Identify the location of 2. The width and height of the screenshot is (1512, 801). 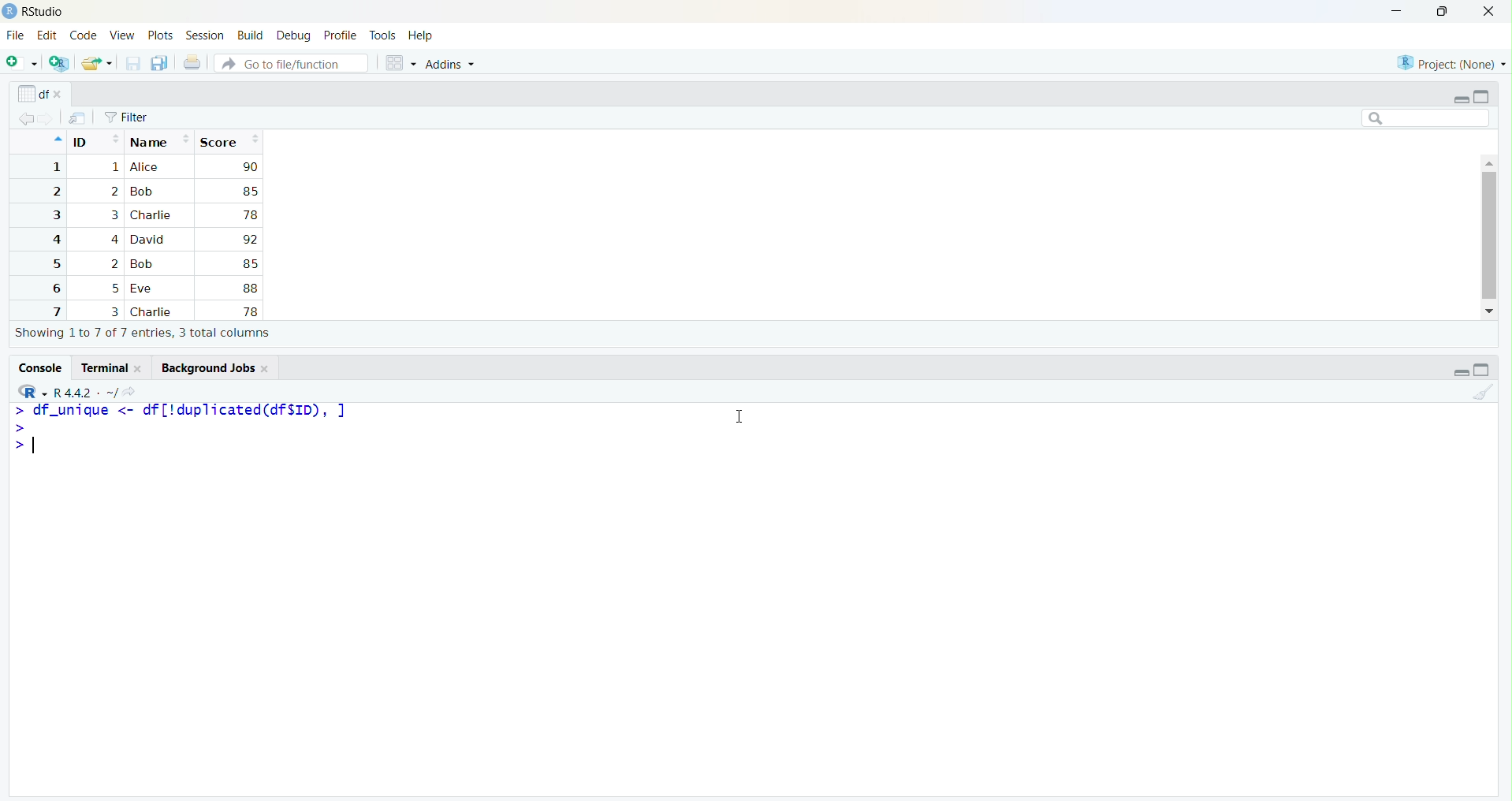
(114, 191).